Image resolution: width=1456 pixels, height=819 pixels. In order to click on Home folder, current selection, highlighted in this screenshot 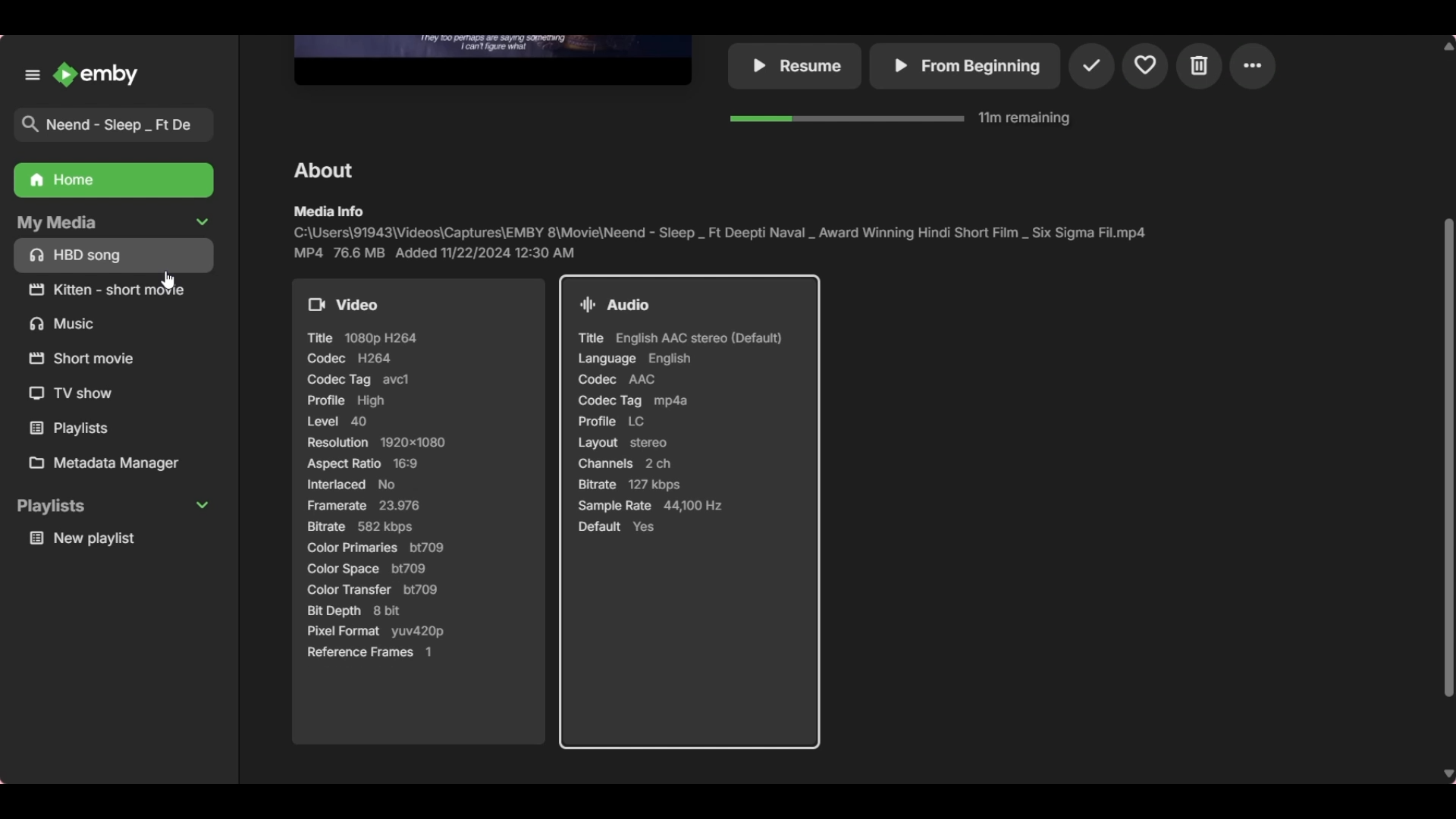, I will do `click(112, 180)`.